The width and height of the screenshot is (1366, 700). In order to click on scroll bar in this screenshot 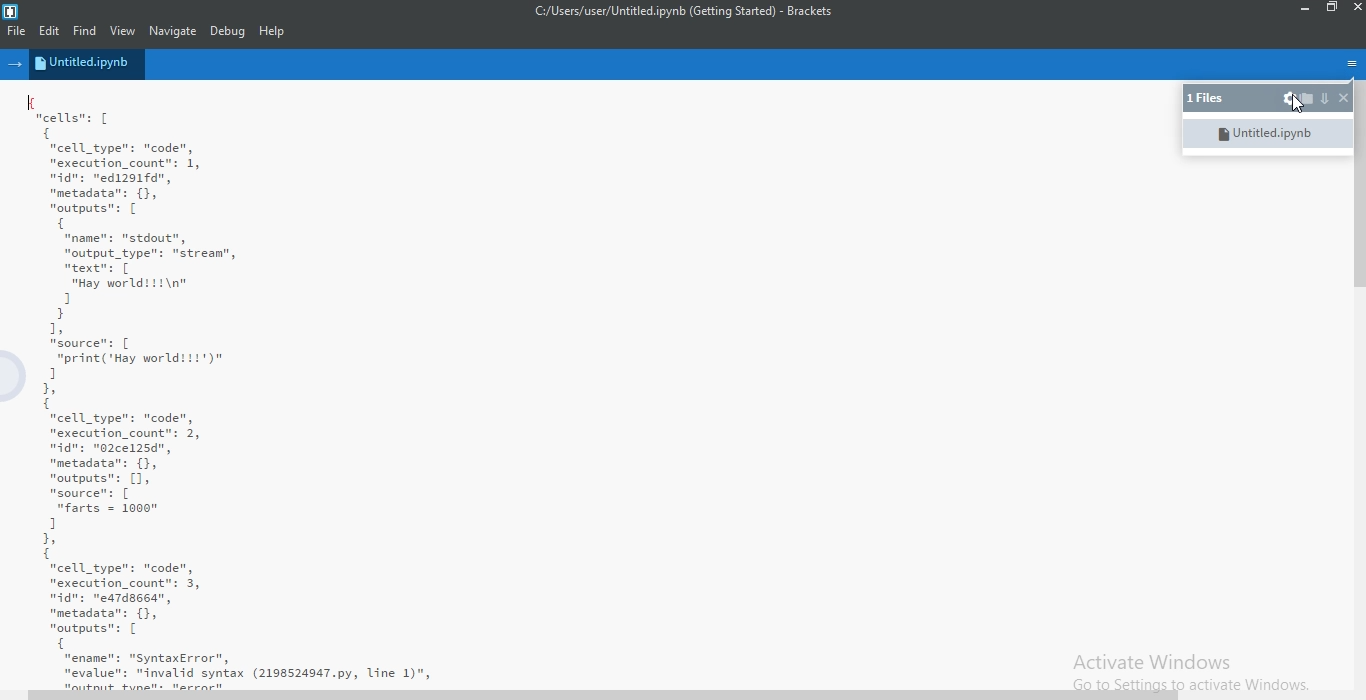, I will do `click(1357, 199)`.